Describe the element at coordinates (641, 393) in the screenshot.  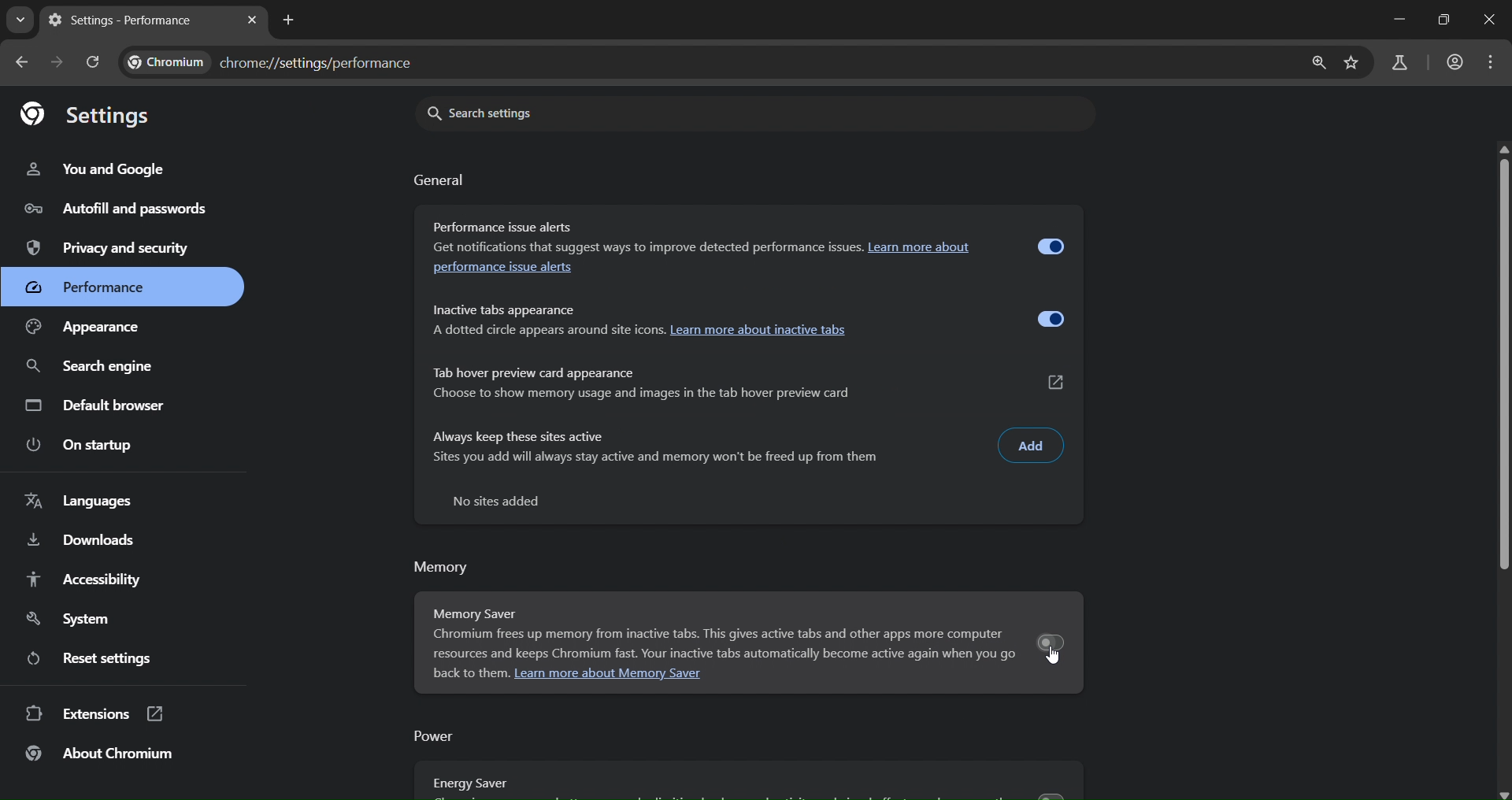
I see `choose to show memory usage and images in the tab hover preview card` at that location.